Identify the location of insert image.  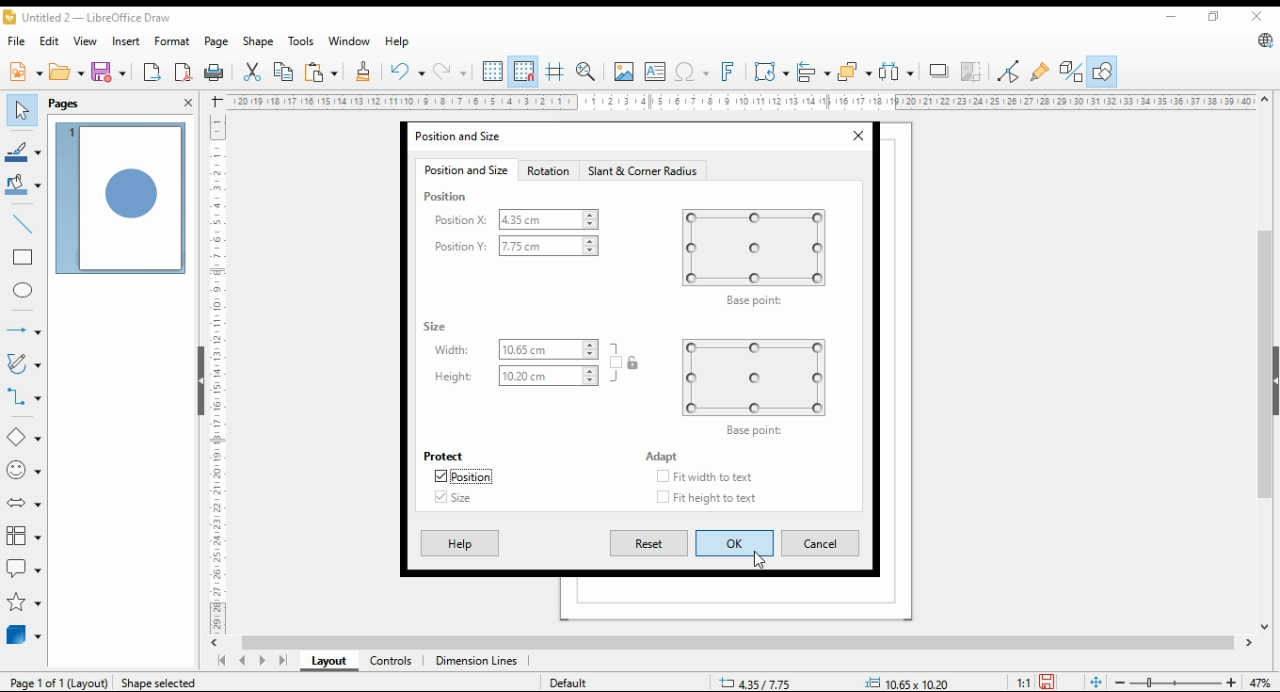
(624, 71).